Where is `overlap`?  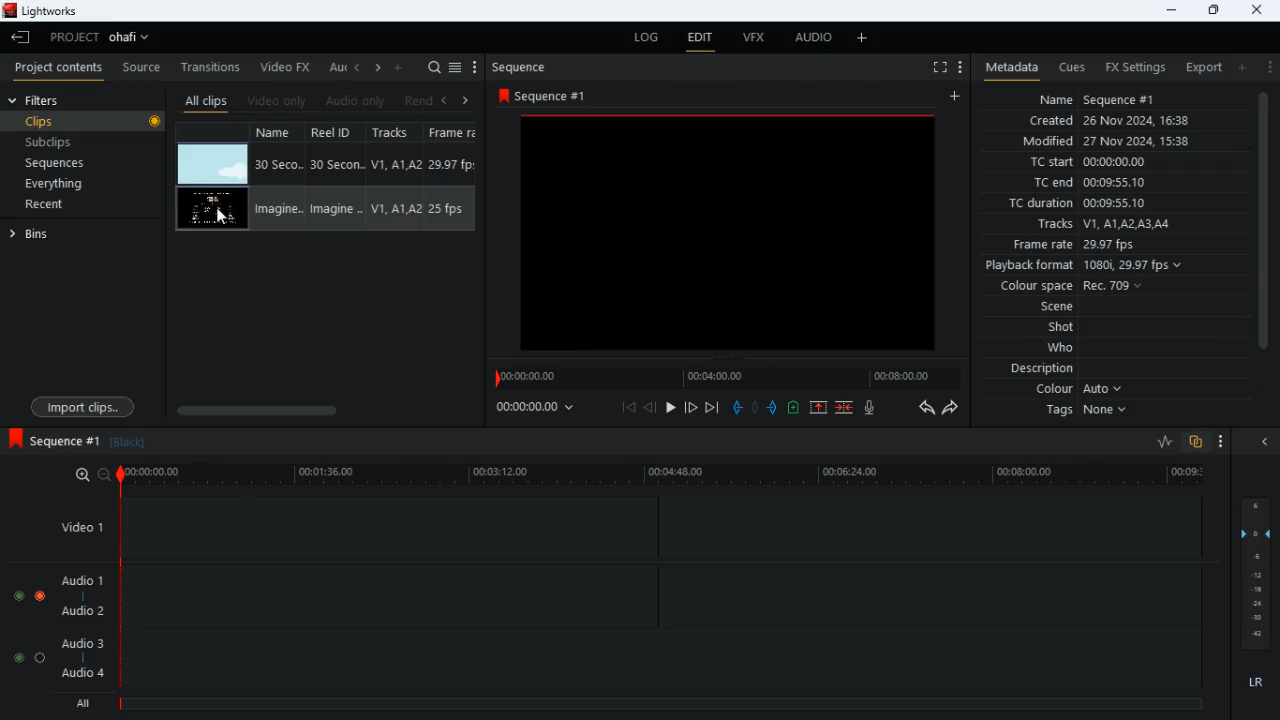
overlap is located at coordinates (1195, 441).